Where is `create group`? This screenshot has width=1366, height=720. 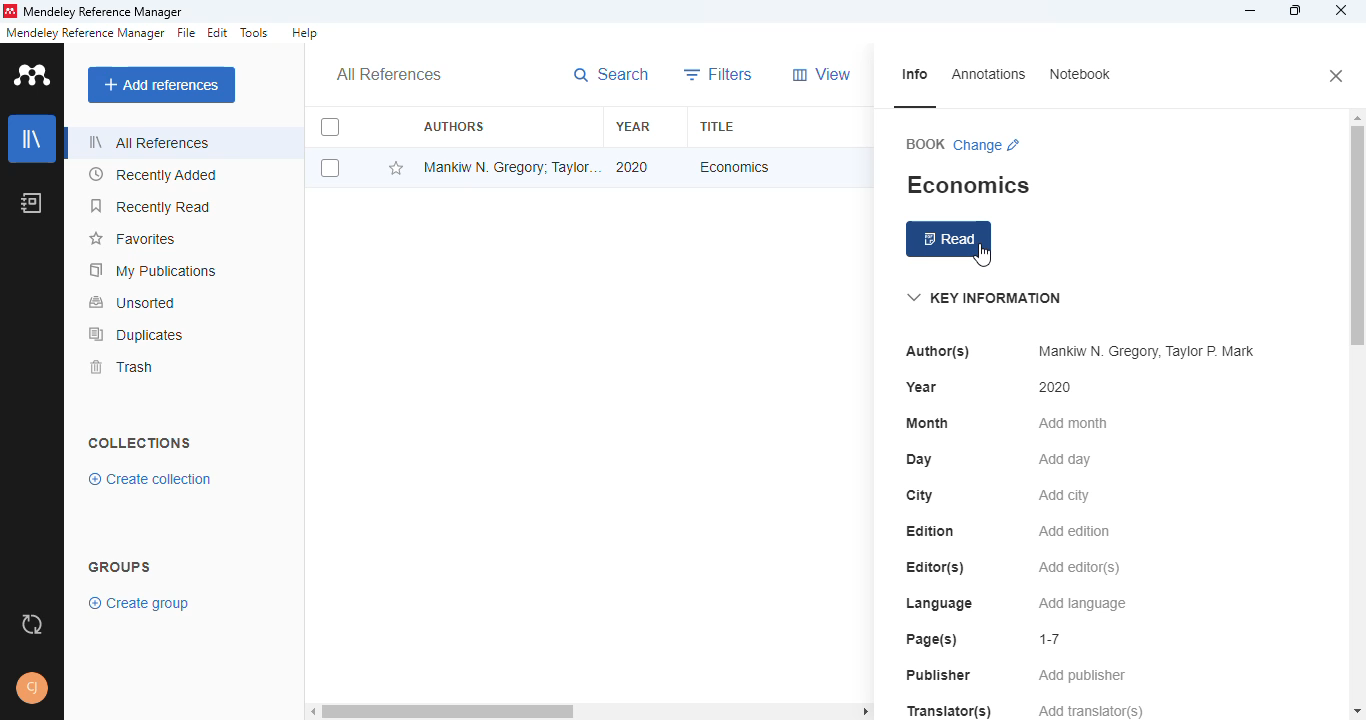 create group is located at coordinates (140, 604).